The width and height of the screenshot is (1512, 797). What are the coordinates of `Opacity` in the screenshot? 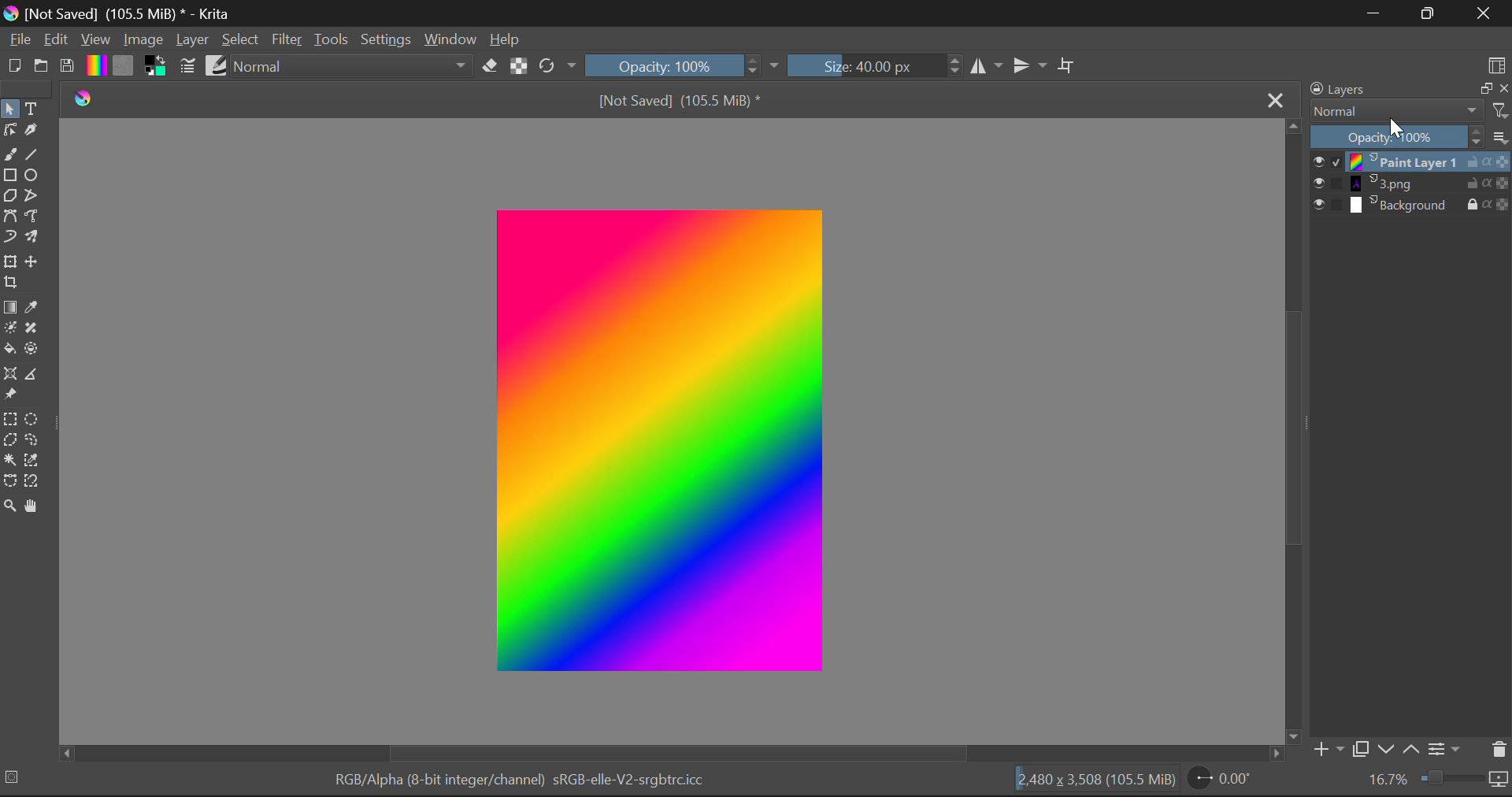 It's located at (663, 66).